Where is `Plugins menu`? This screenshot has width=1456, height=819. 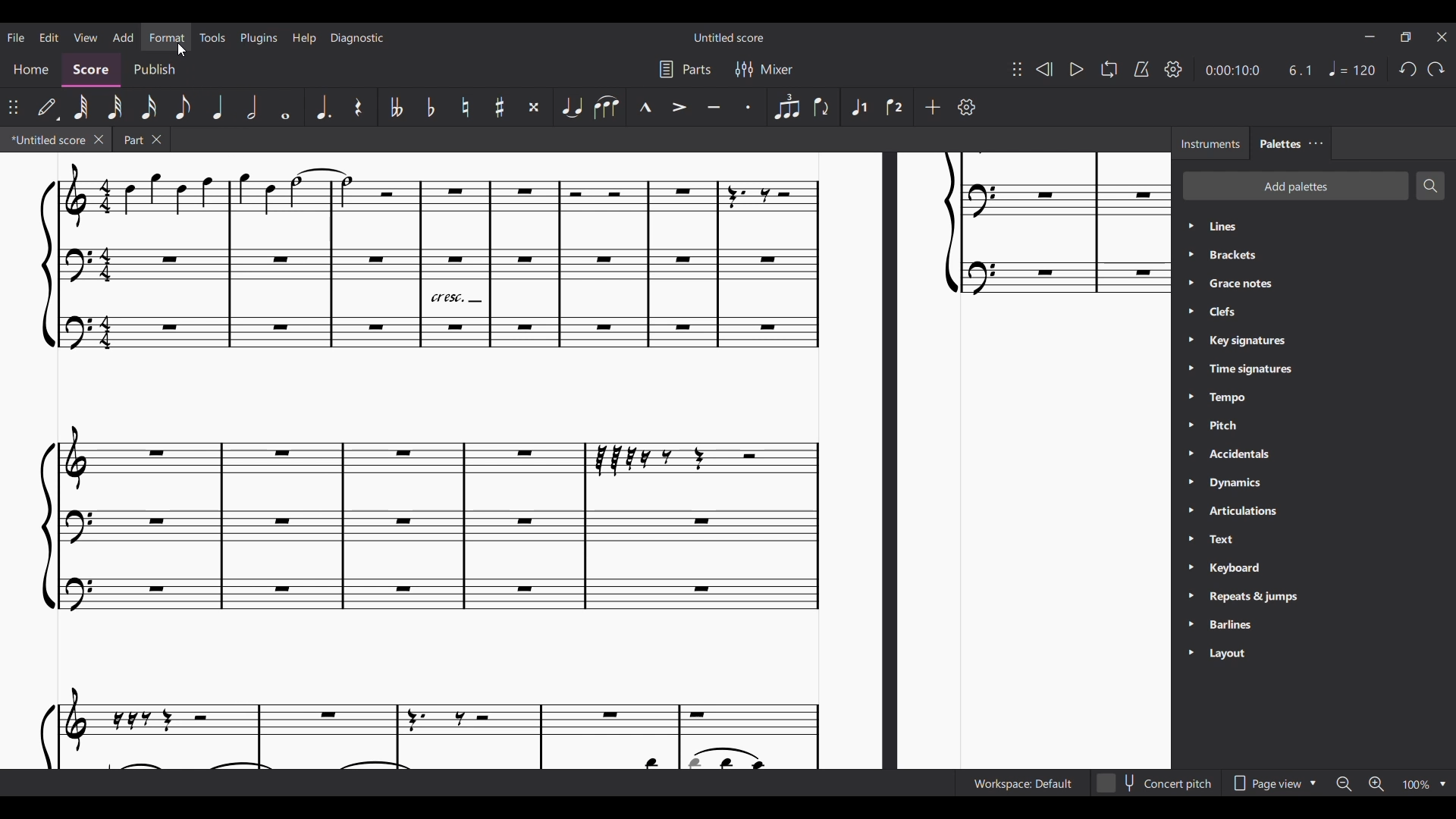 Plugins menu is located at coordinates (259, 38).